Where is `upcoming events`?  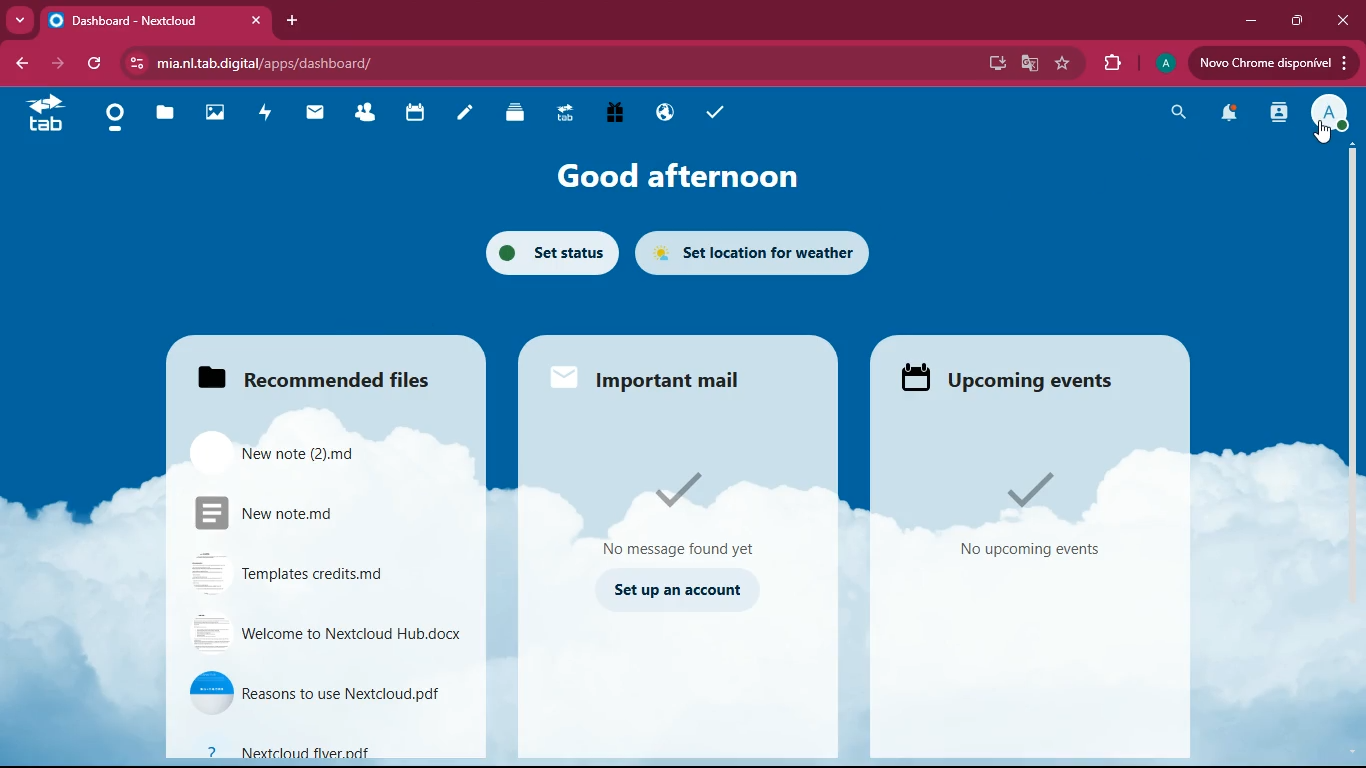
upcoming events is located at coordinates (1015, 378).